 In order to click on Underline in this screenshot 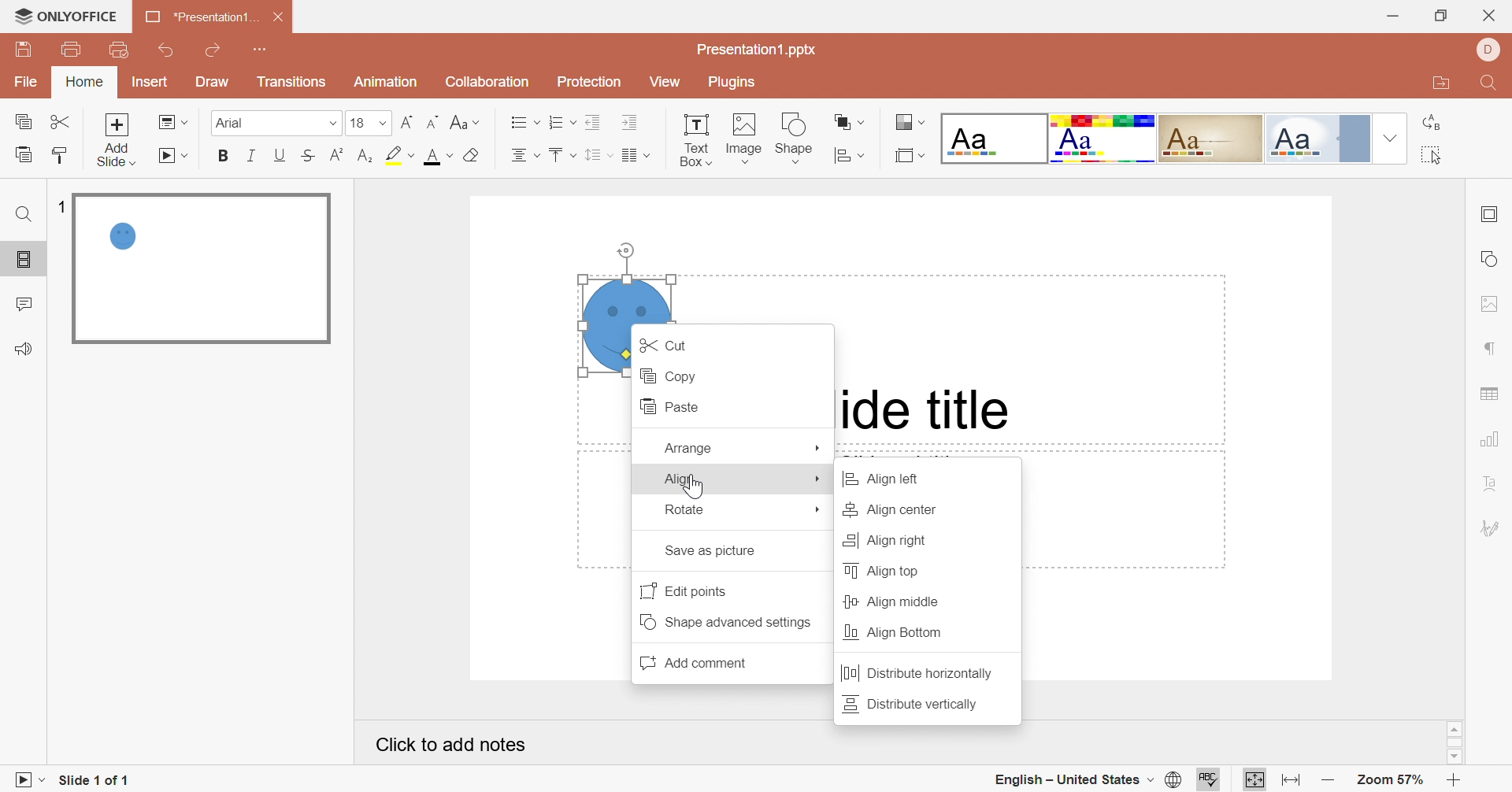, I will do `click(283, 156)`.